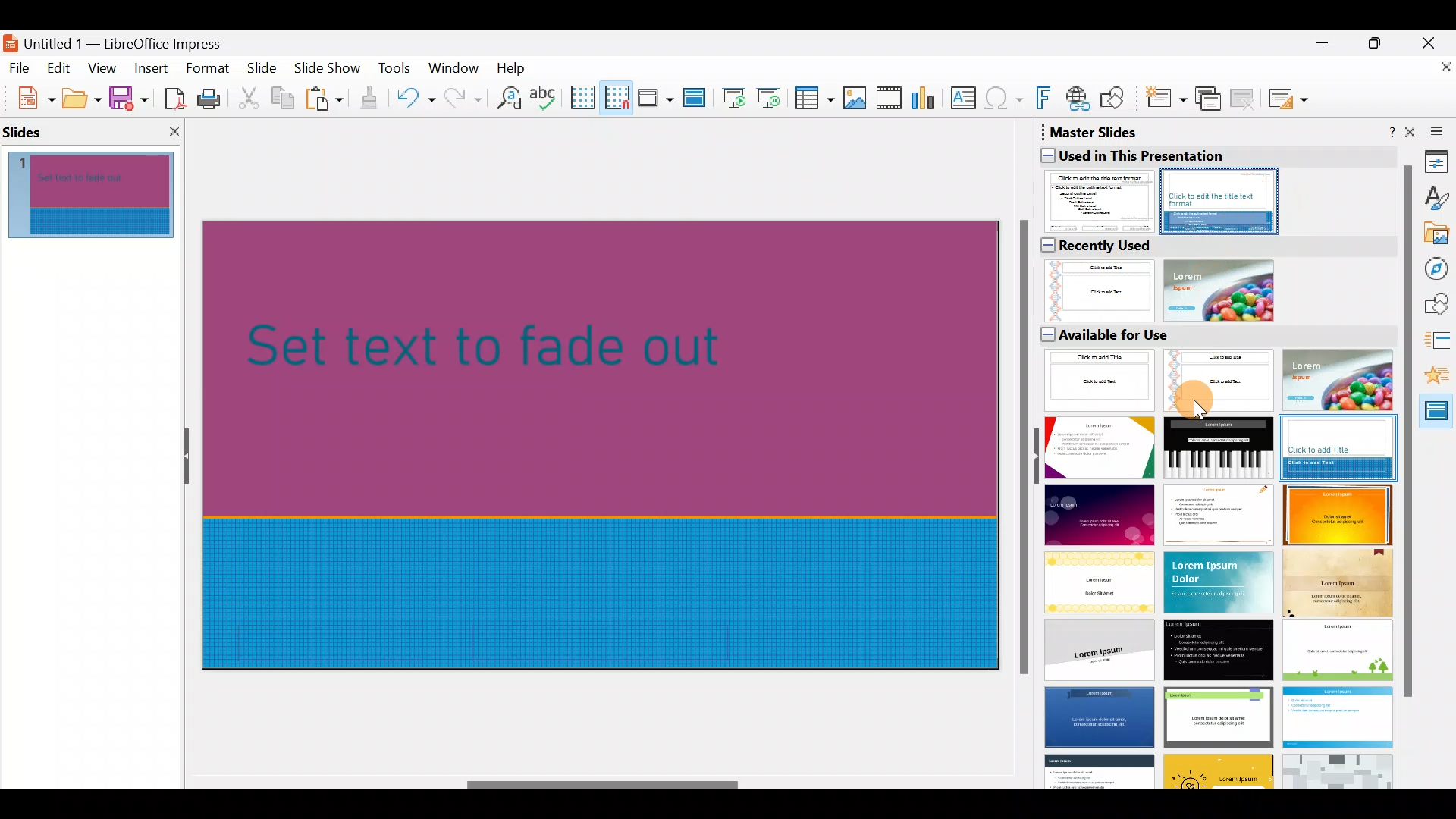 Image resolution: width=1456 pixels, height=819 pixels. What do you see at coordinates (1320, 50) in the screenshot?
I see `Minimise` at bounding box center [1320, 50].